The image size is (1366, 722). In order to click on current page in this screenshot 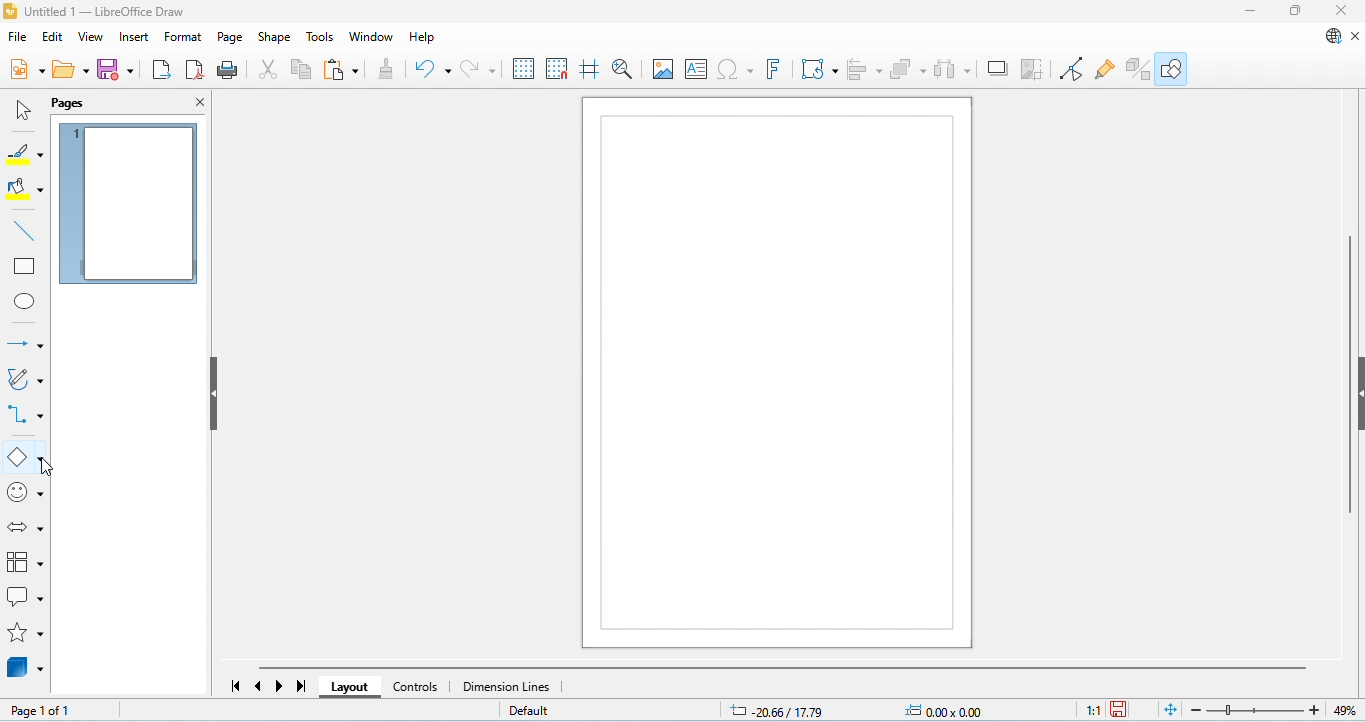, I will do `click(130, 203)`.